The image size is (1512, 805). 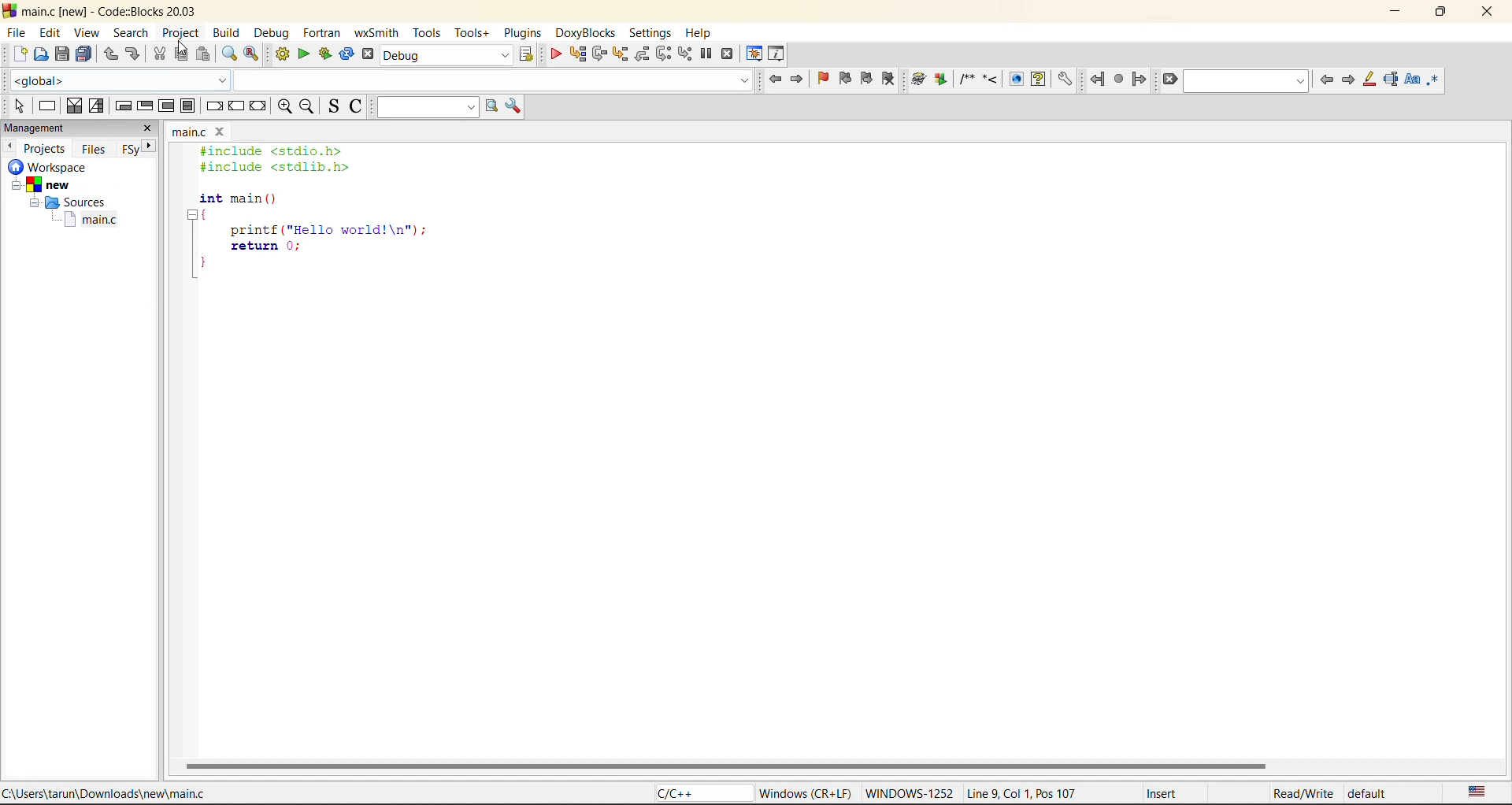 I want to click on exit condition loop, so click(x=144, y=106).